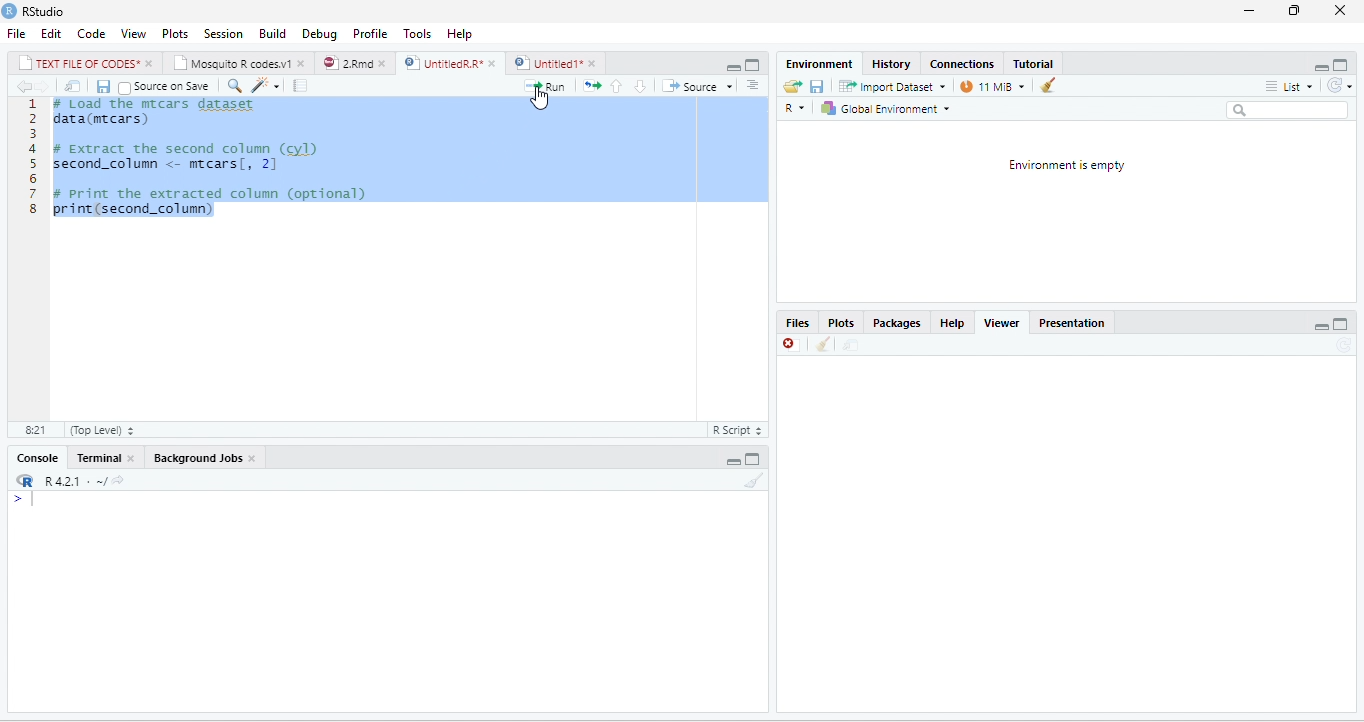 Image resolution: width=1364 pixels, height=722 pixels. I want to click on maximize, so click(1343, 64).